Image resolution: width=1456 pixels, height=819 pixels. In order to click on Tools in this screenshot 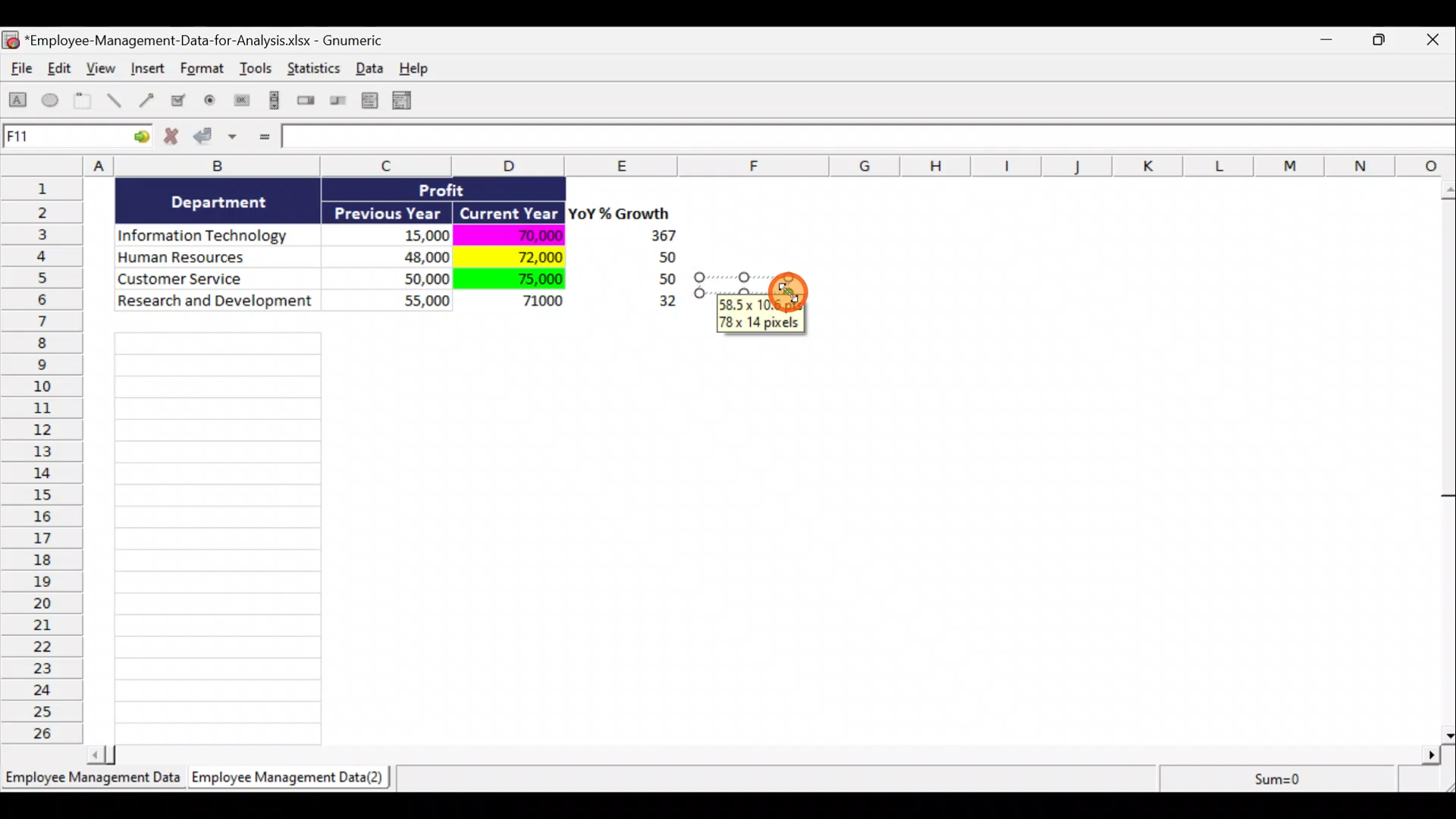, I will do `click(258, 71)`.